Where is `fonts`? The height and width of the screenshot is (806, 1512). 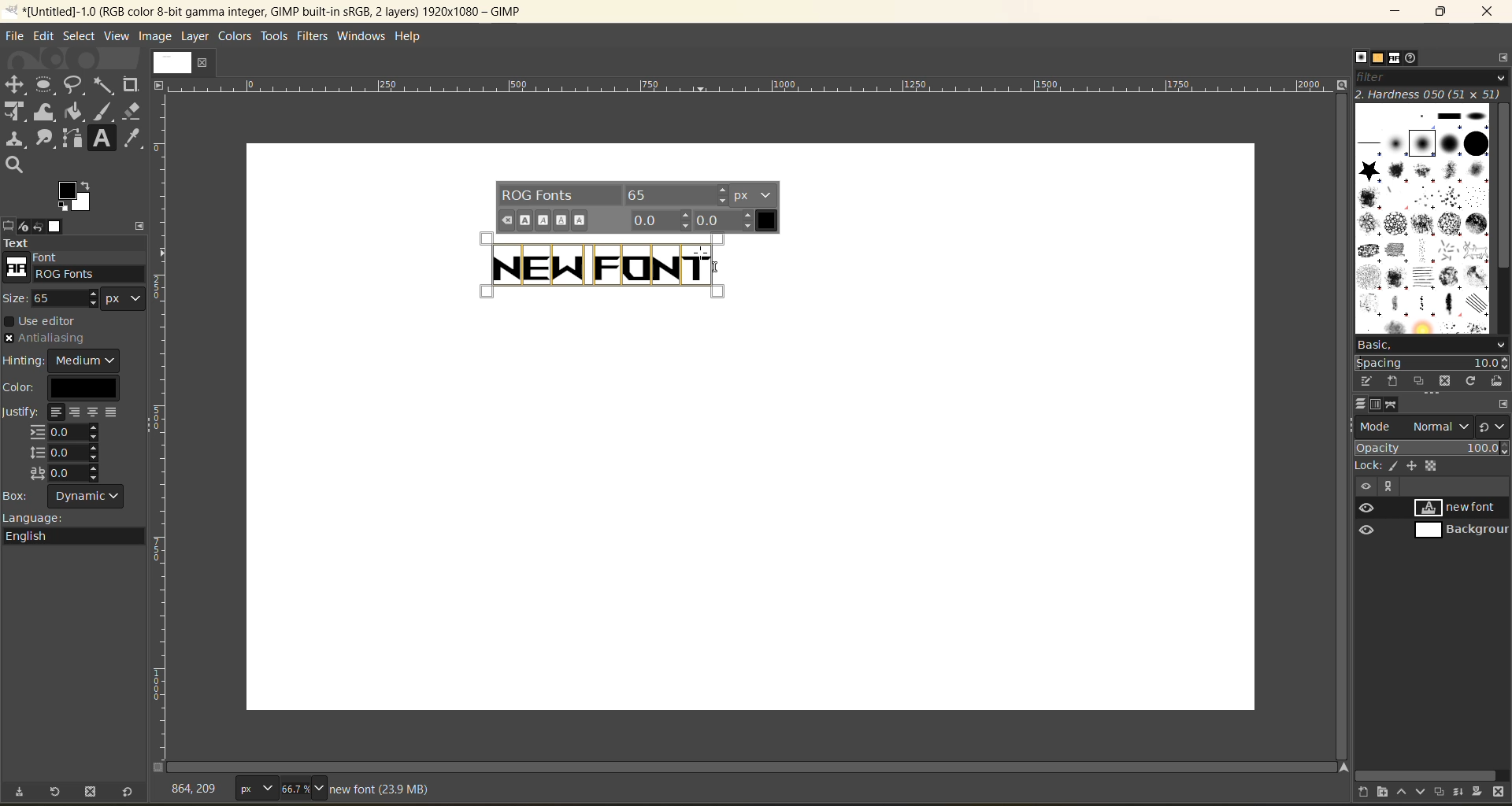 fonts is located at coordinates (1398, 59).